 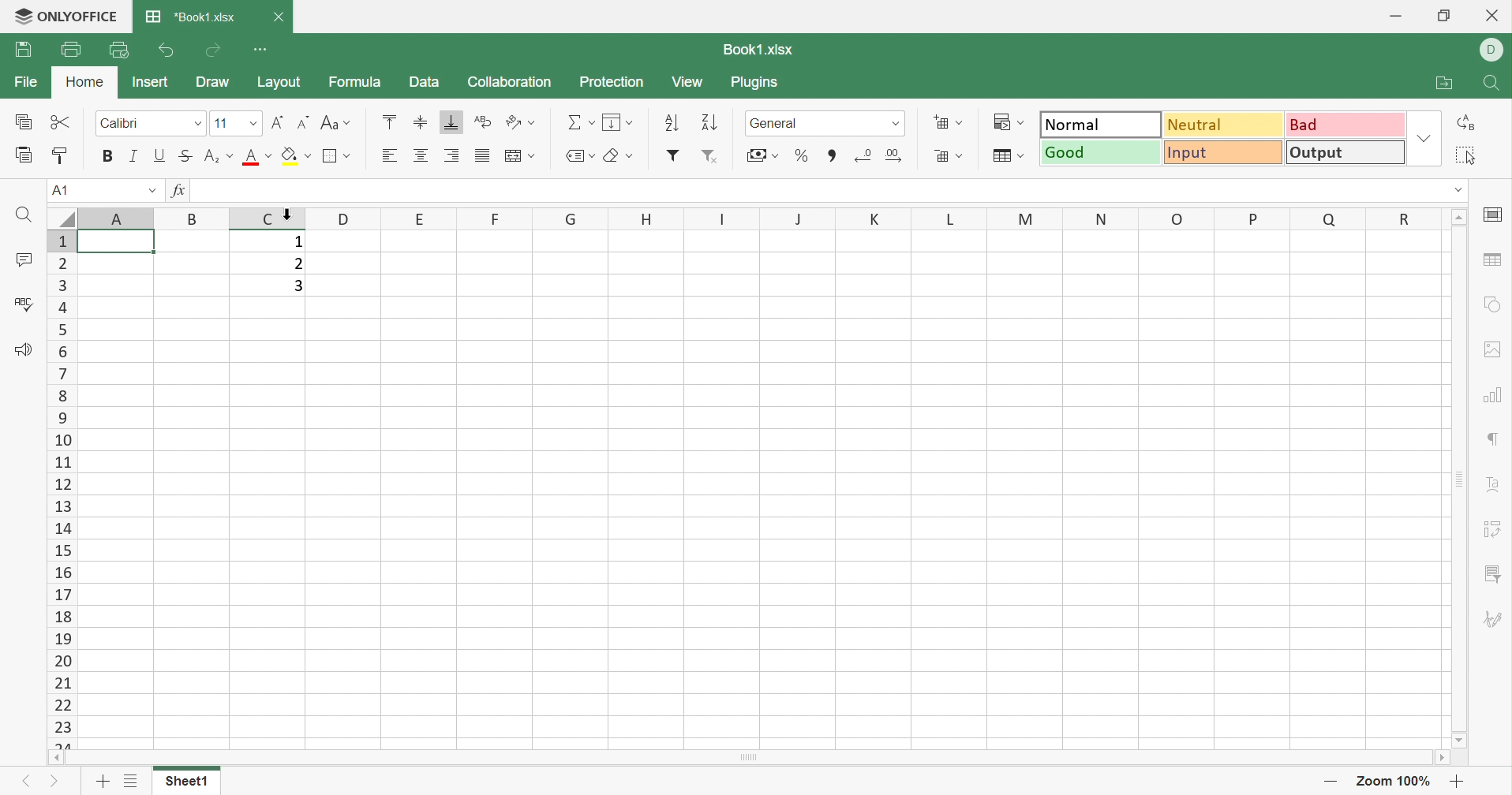 What do you see at coordinates (453, 157) in the screenshot?
I see `Align Right` at bounding box center [453, 157].